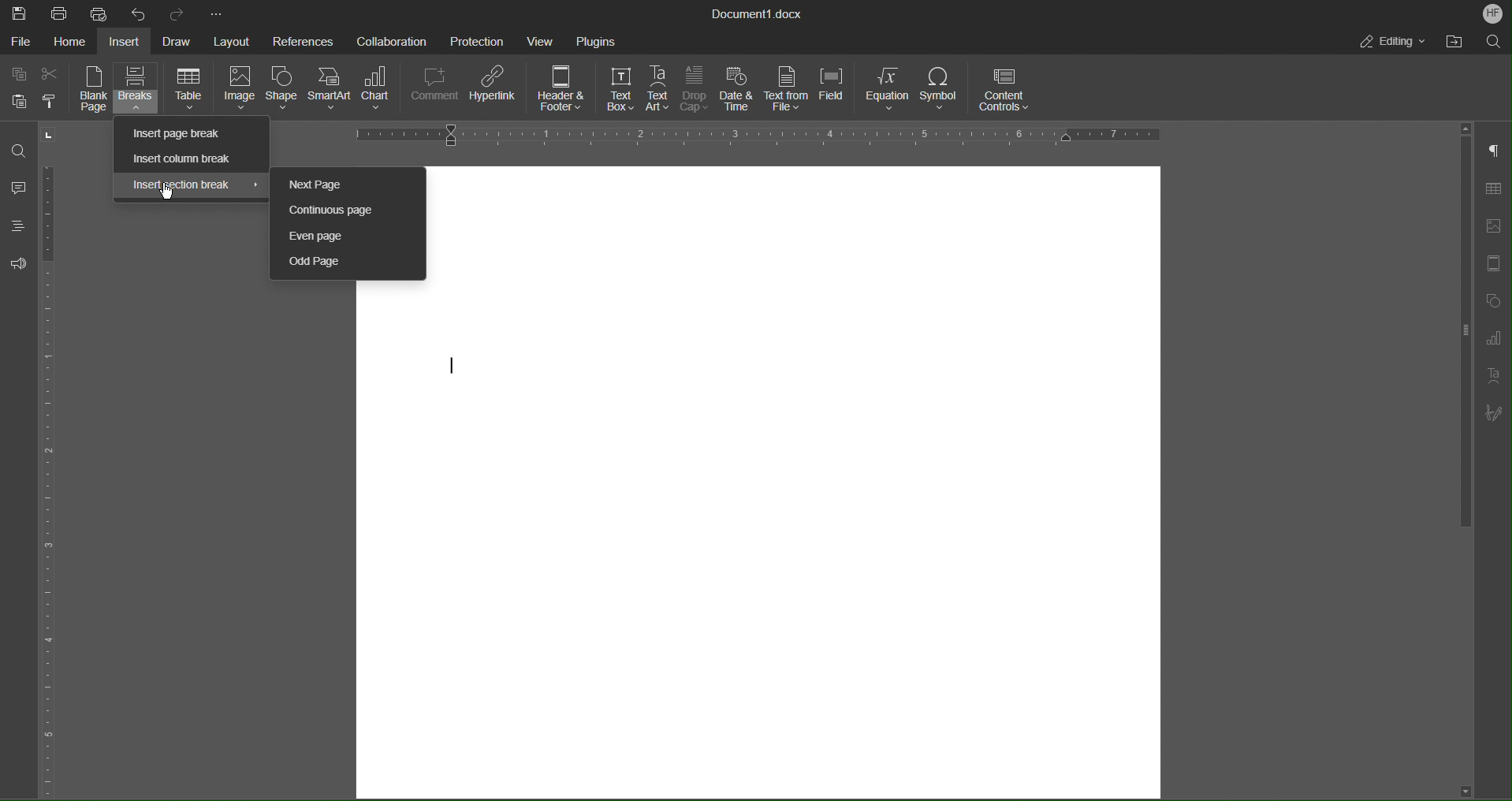 The width and height of the screenshot is (1512, 801). Describe the element at coordinates (179, 135) in the screenshot. I see `Insert page break` at that location.